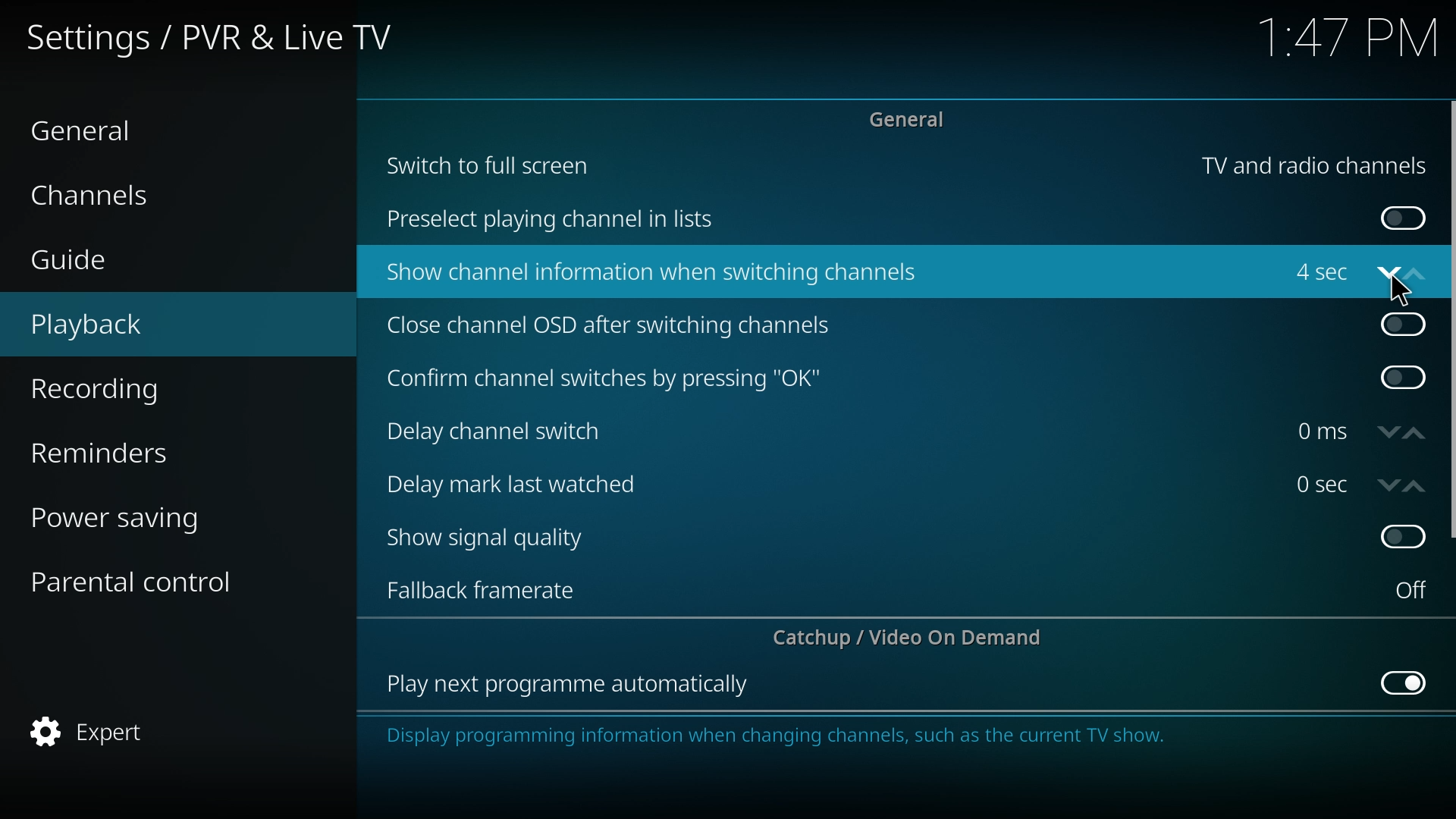  Describe the element at coordinates (496, 538) in the screenshot. I see `show signal quality` at that location.